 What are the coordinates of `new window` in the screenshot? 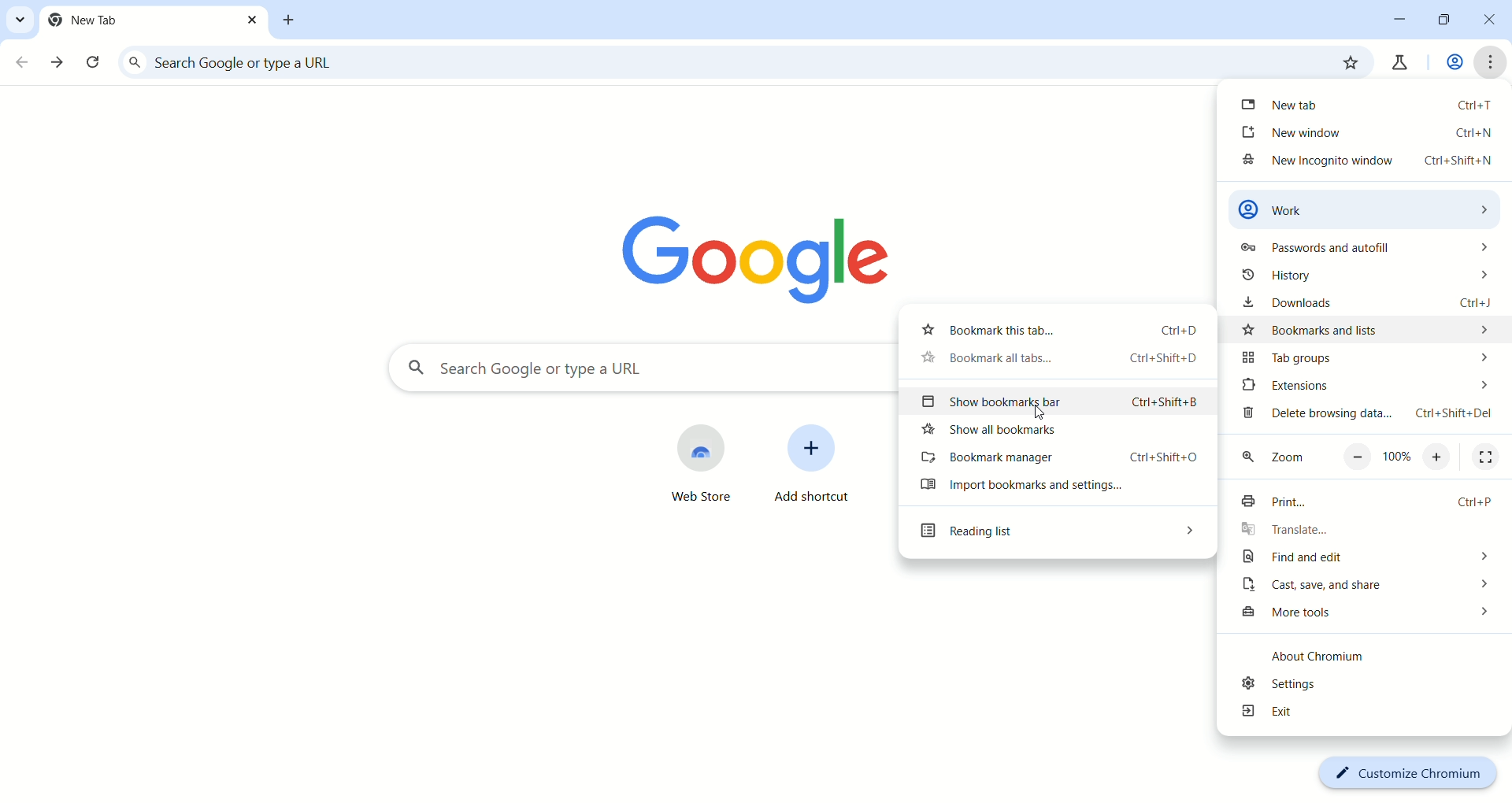 It's located at (1369, 132).